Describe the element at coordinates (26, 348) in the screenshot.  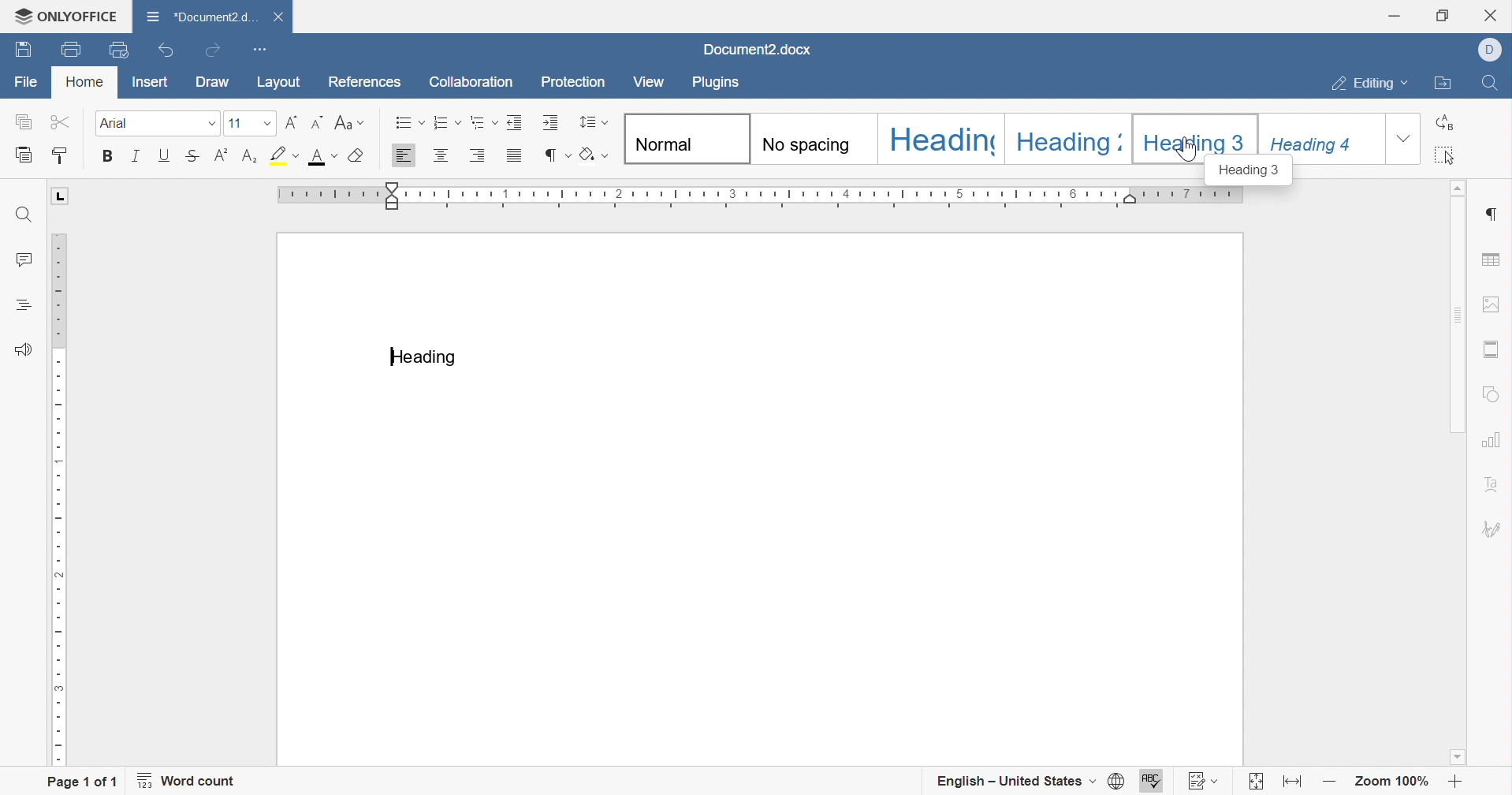
I see `Feedback &support` at that location.